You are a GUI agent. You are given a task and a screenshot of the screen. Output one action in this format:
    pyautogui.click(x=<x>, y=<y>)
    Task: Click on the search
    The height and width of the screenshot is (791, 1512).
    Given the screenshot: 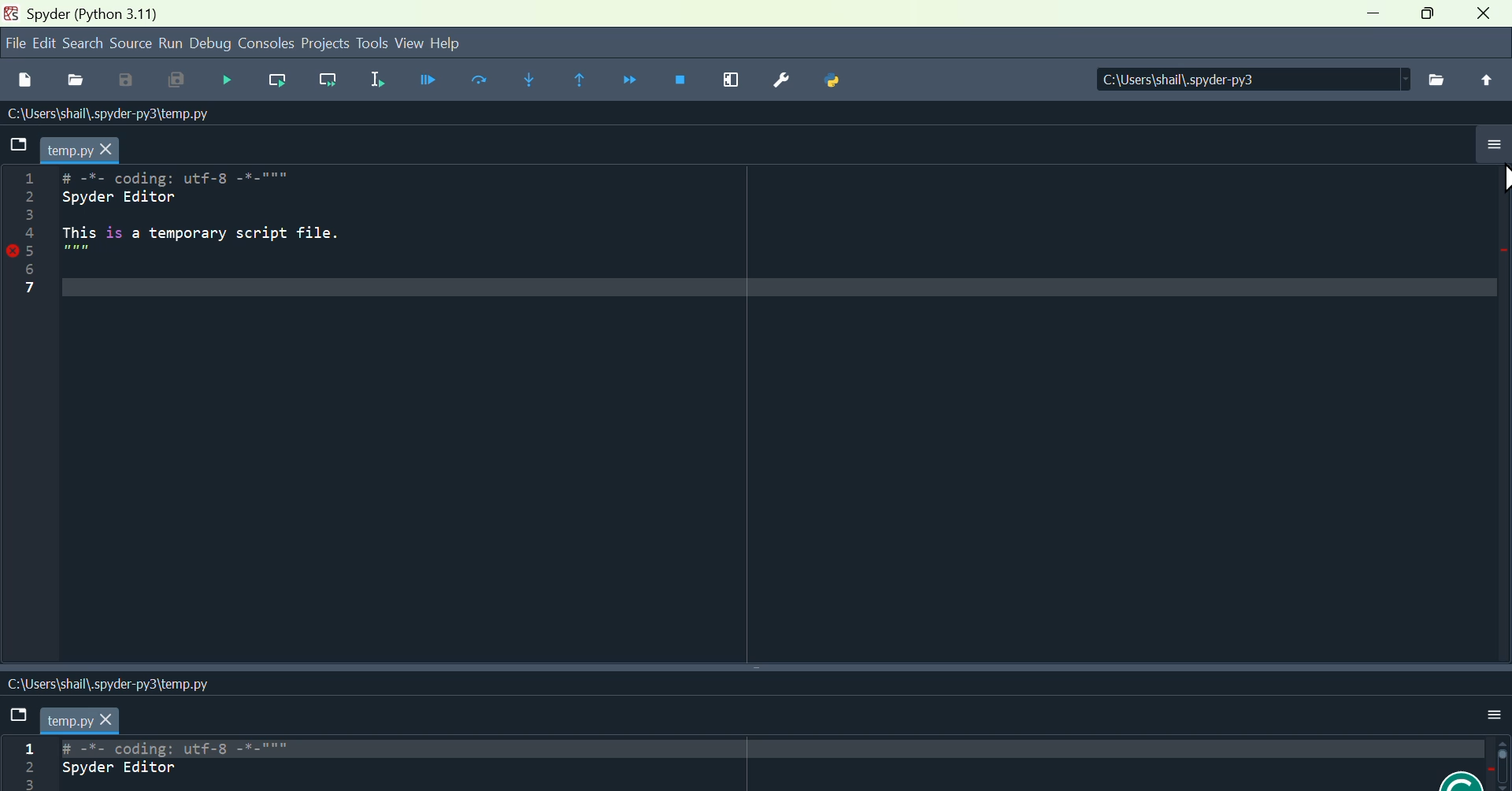 What is the action you would take?
    pyautogui.click(x=86, y=45)
    